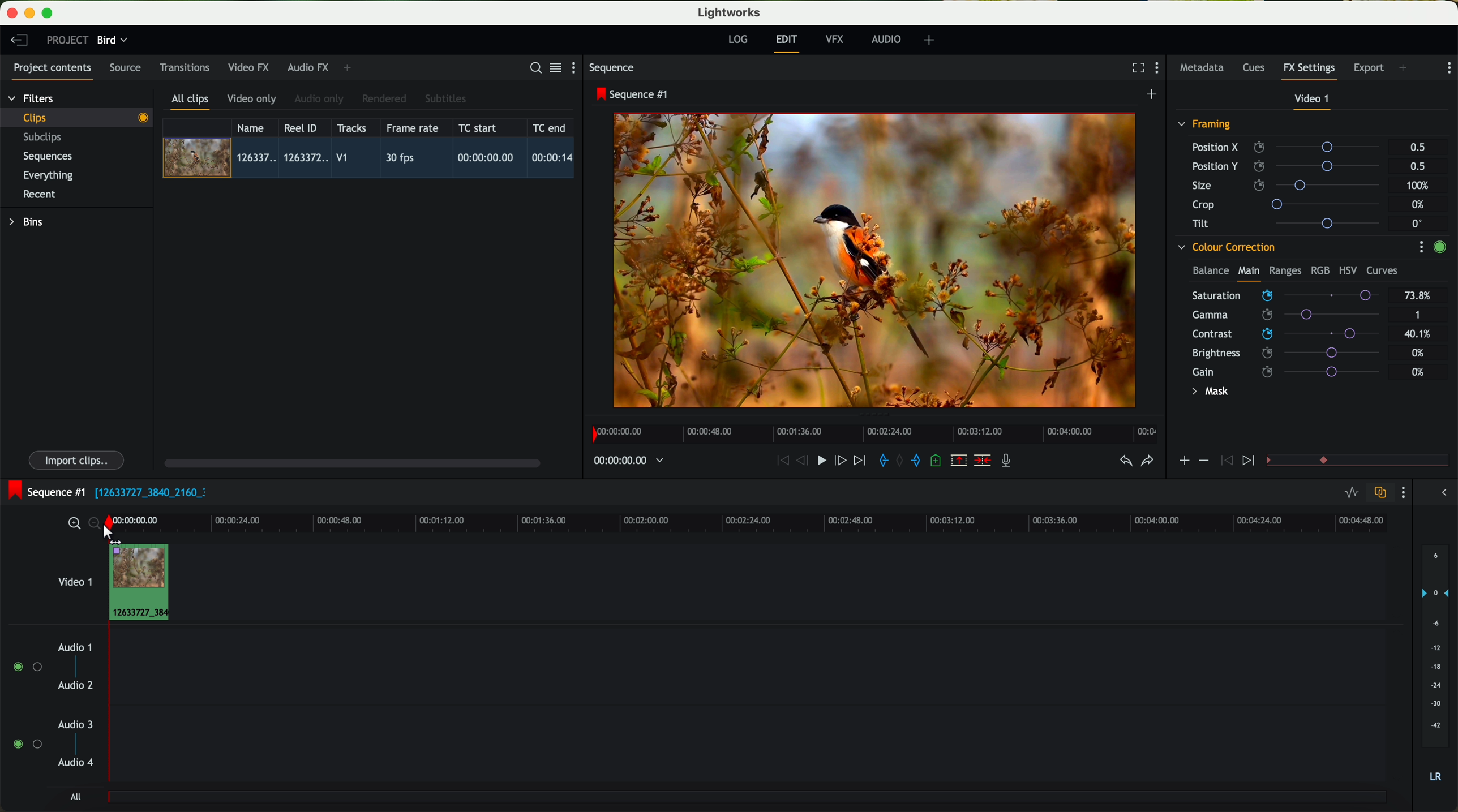  I want to click on 0.5, so click(1417, 166).